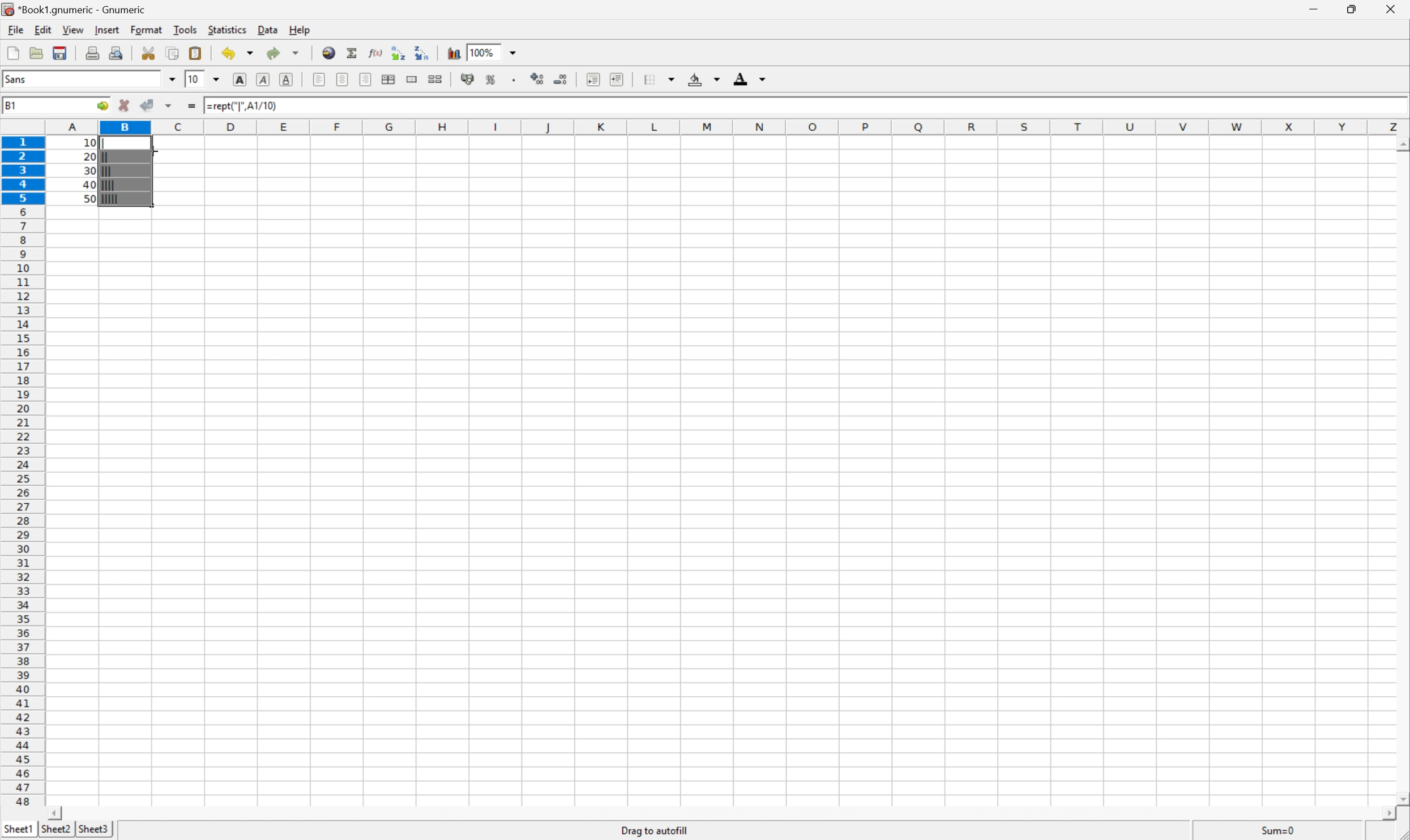 The image size is (1410, 840). What do you see at coordinates (184, 29) in the screenshot?
I see `Tools` at bounding box center [184, 29].